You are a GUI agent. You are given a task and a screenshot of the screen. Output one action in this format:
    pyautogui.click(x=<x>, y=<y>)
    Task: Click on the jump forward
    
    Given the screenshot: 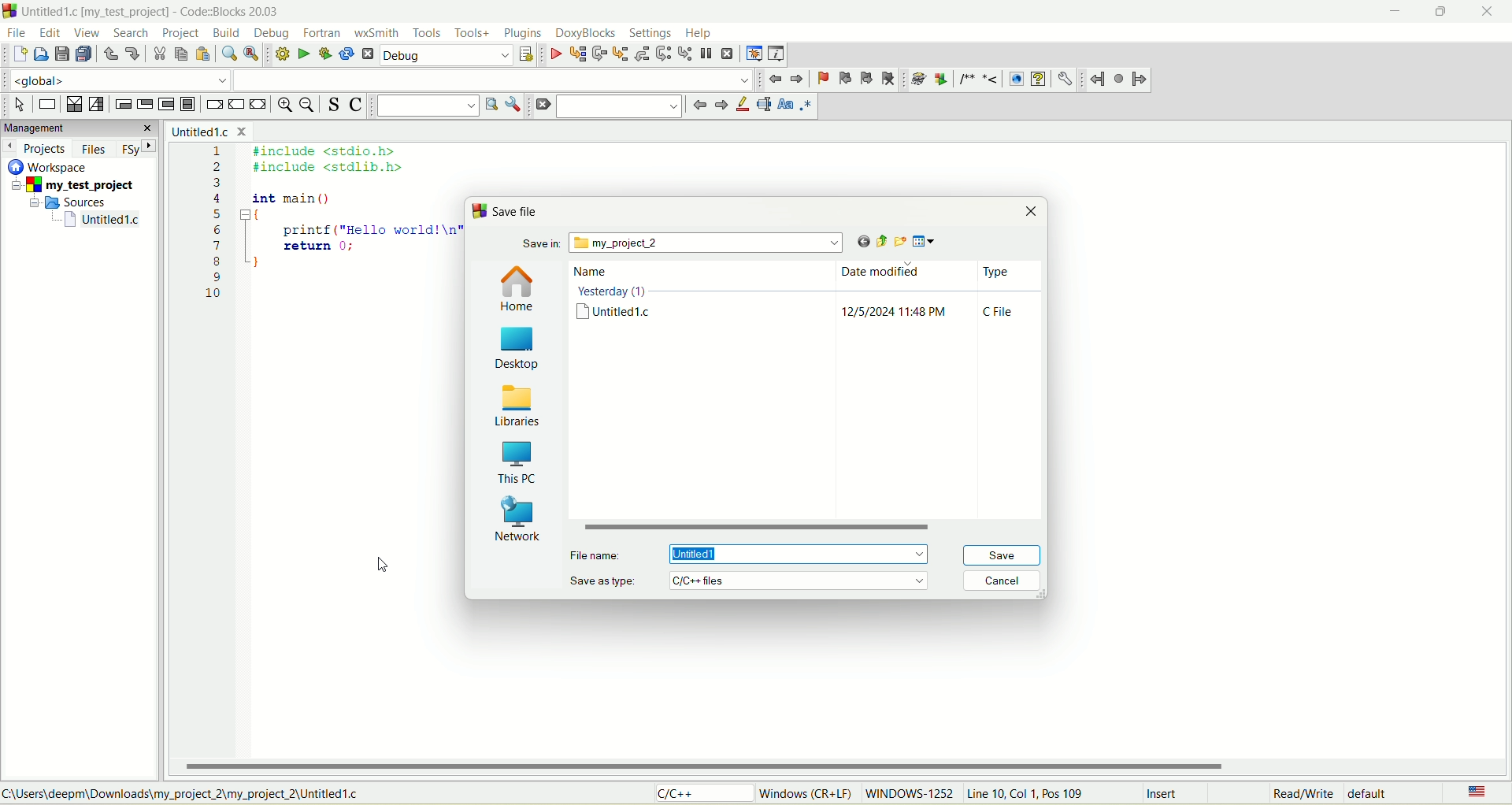 What is the action you would take?
    pyautogui.click(x=1140, y=81)
    